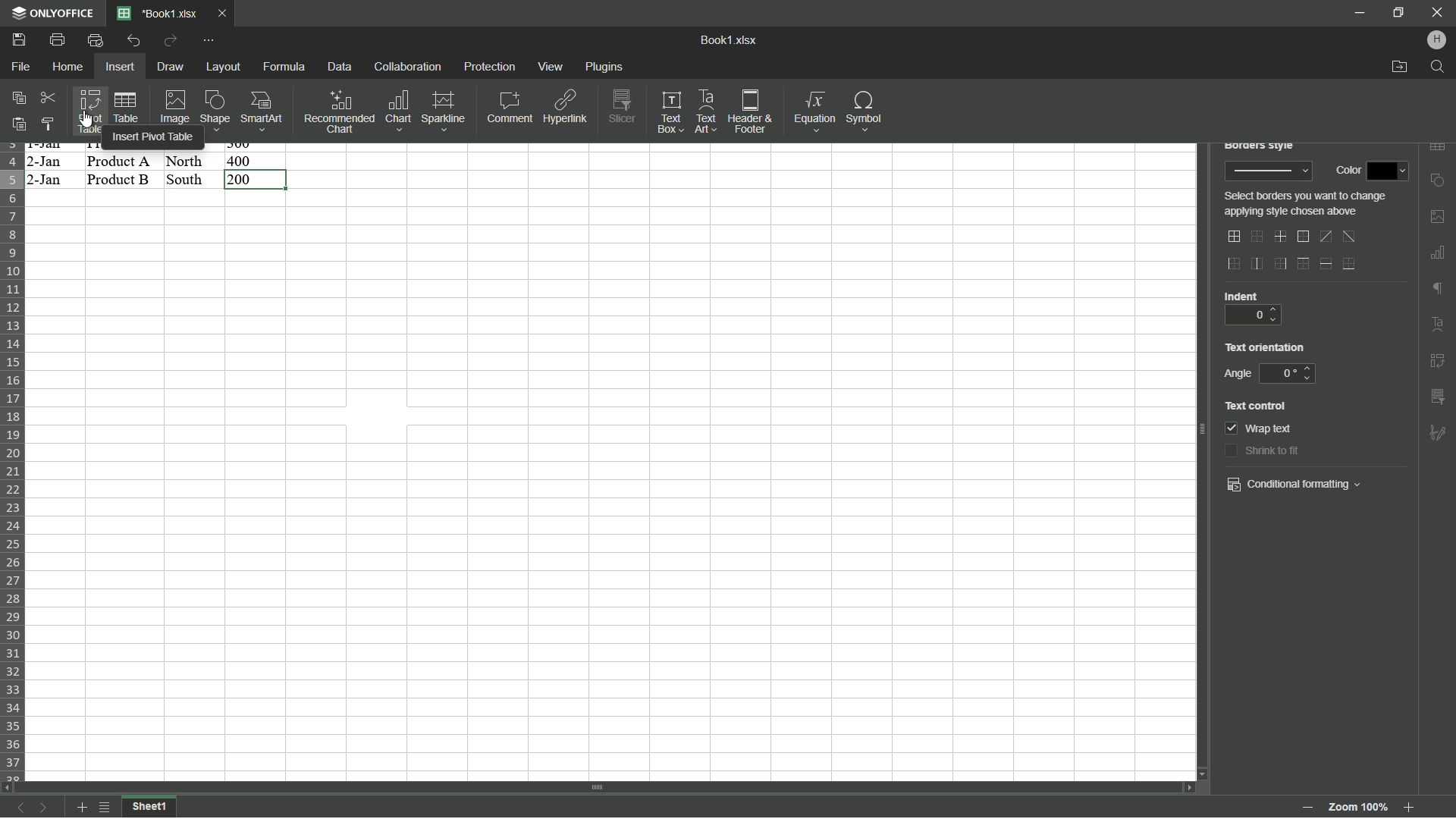 The width and height of the screenshot is (1456, 819). Describe the element at coordinates (1253, 237) in the screenshot. I see `no border` at that location.